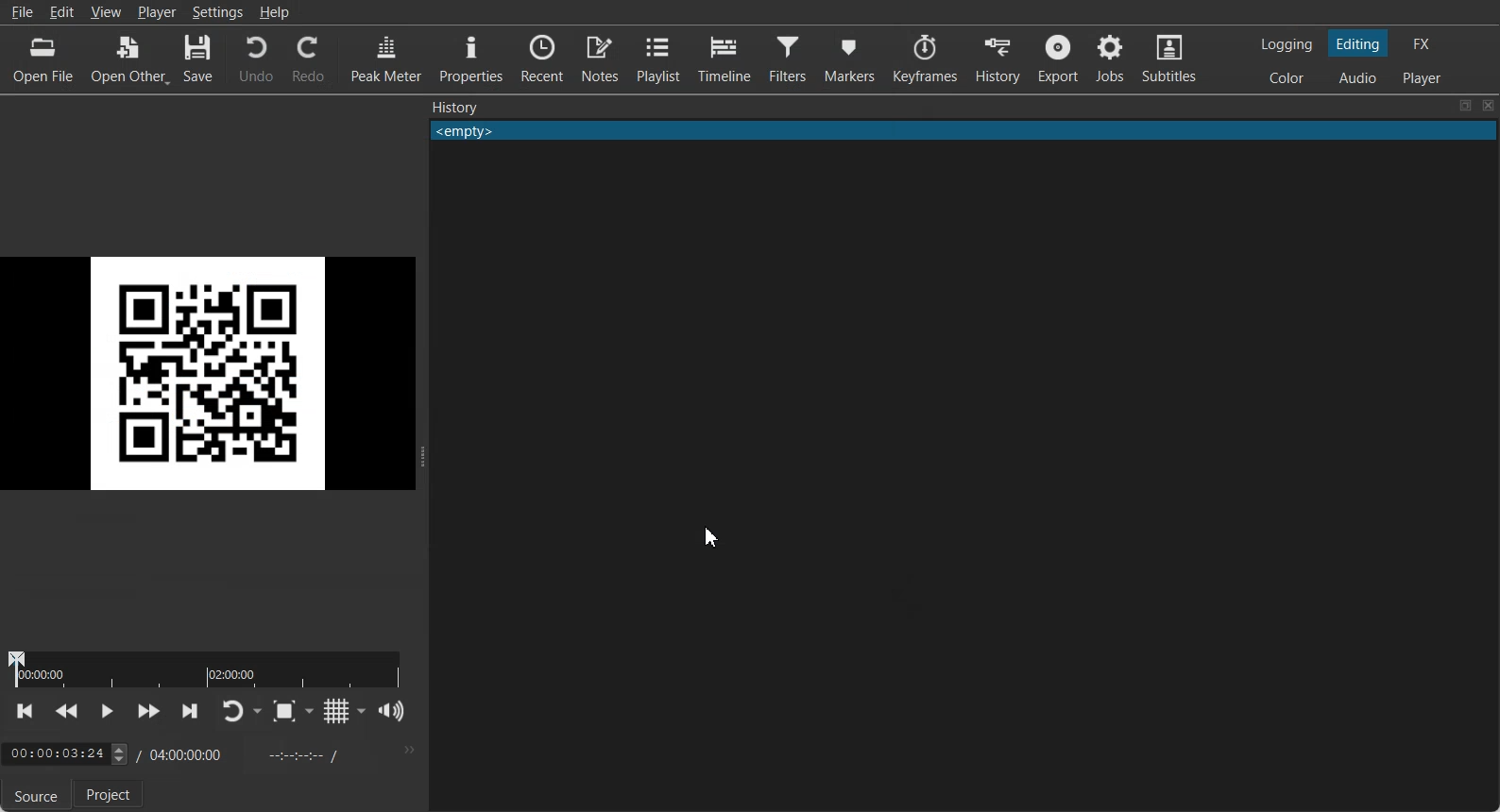 Image resolution: width=1500 pixels, height=812 pixels. I want to click on Notes, so click(600, 58).